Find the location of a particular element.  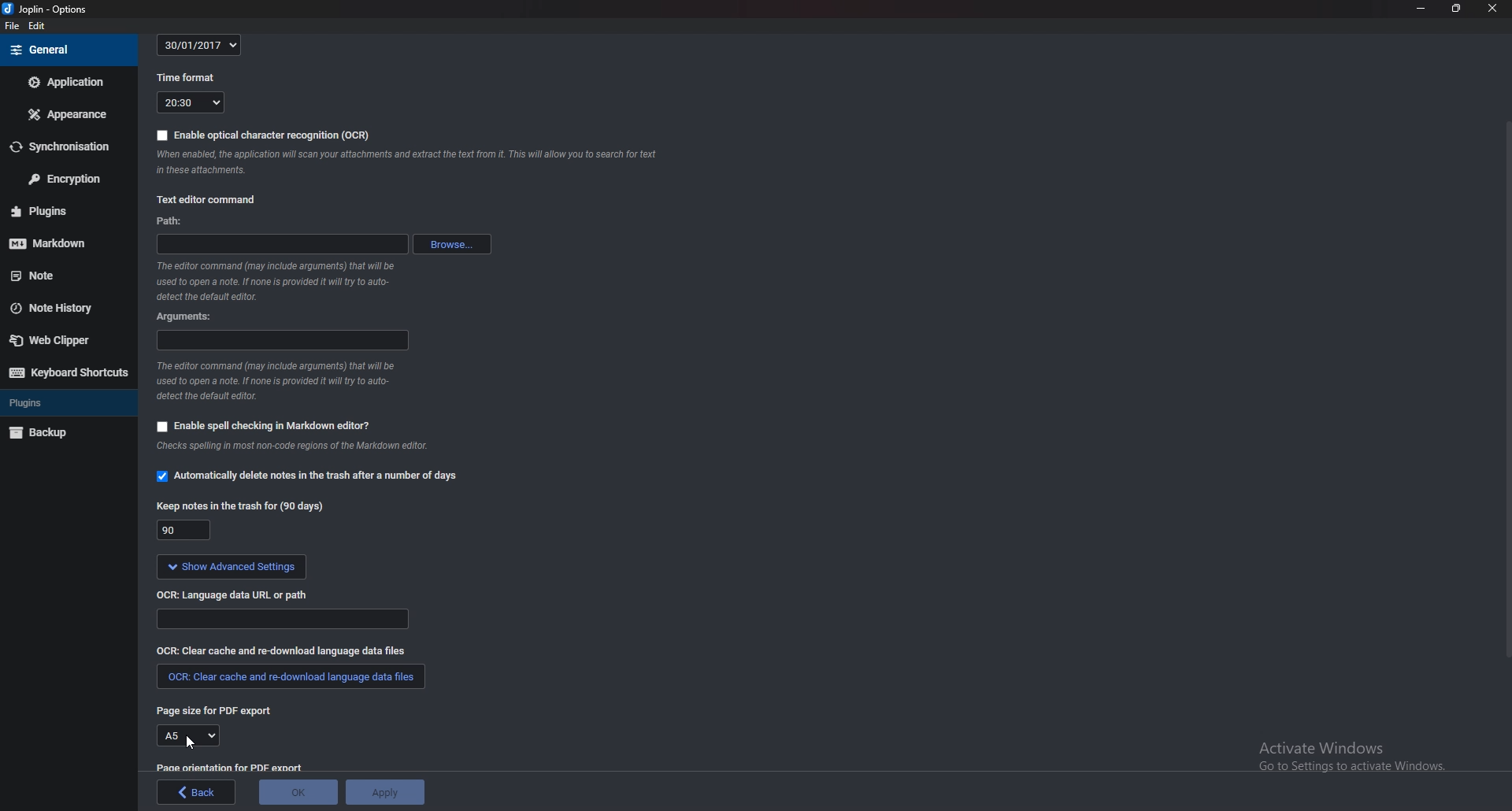

show advanced settings is located at coordinates (233, 567).